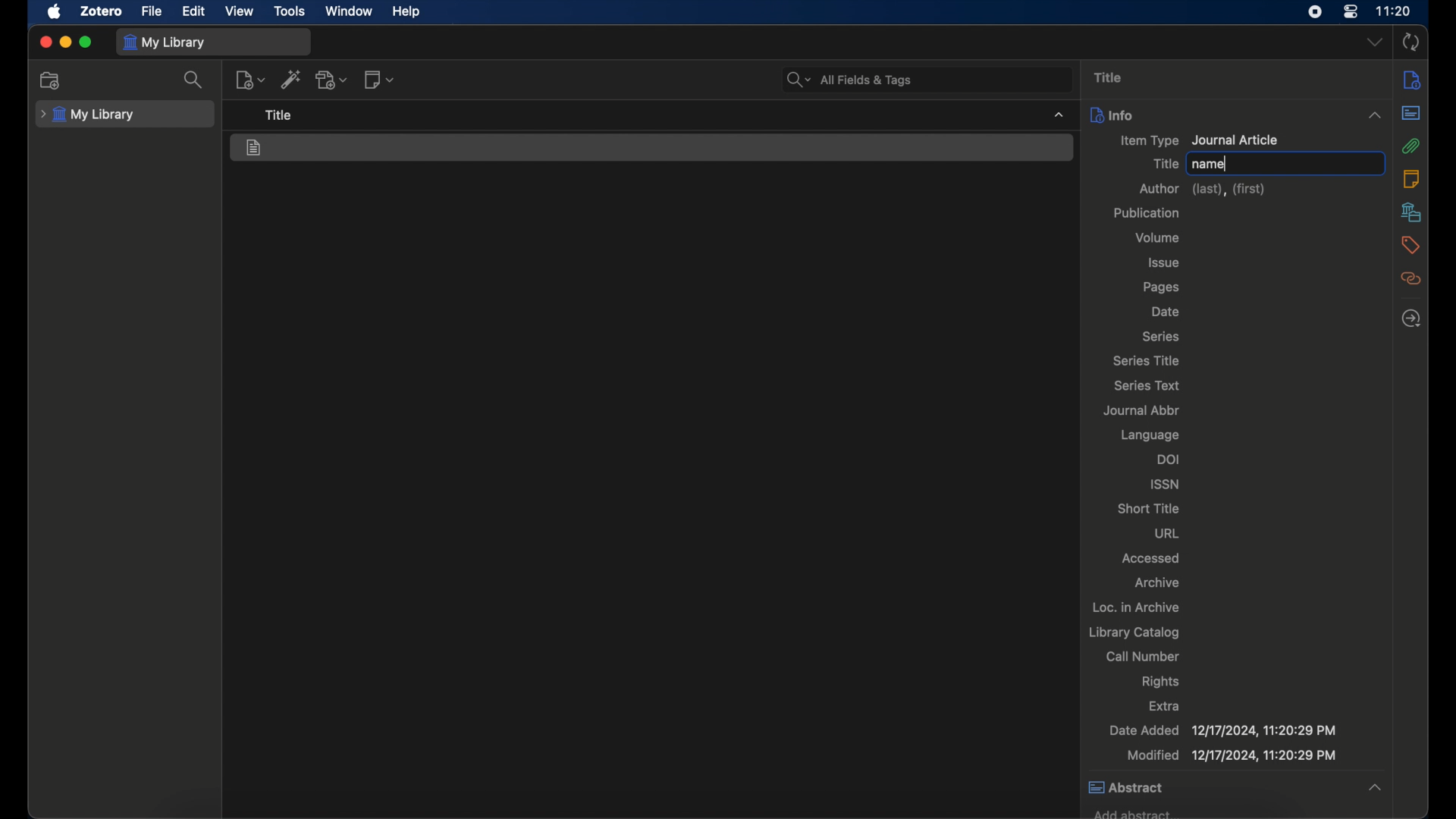  I want to click on accessed, so click(1151, 558).